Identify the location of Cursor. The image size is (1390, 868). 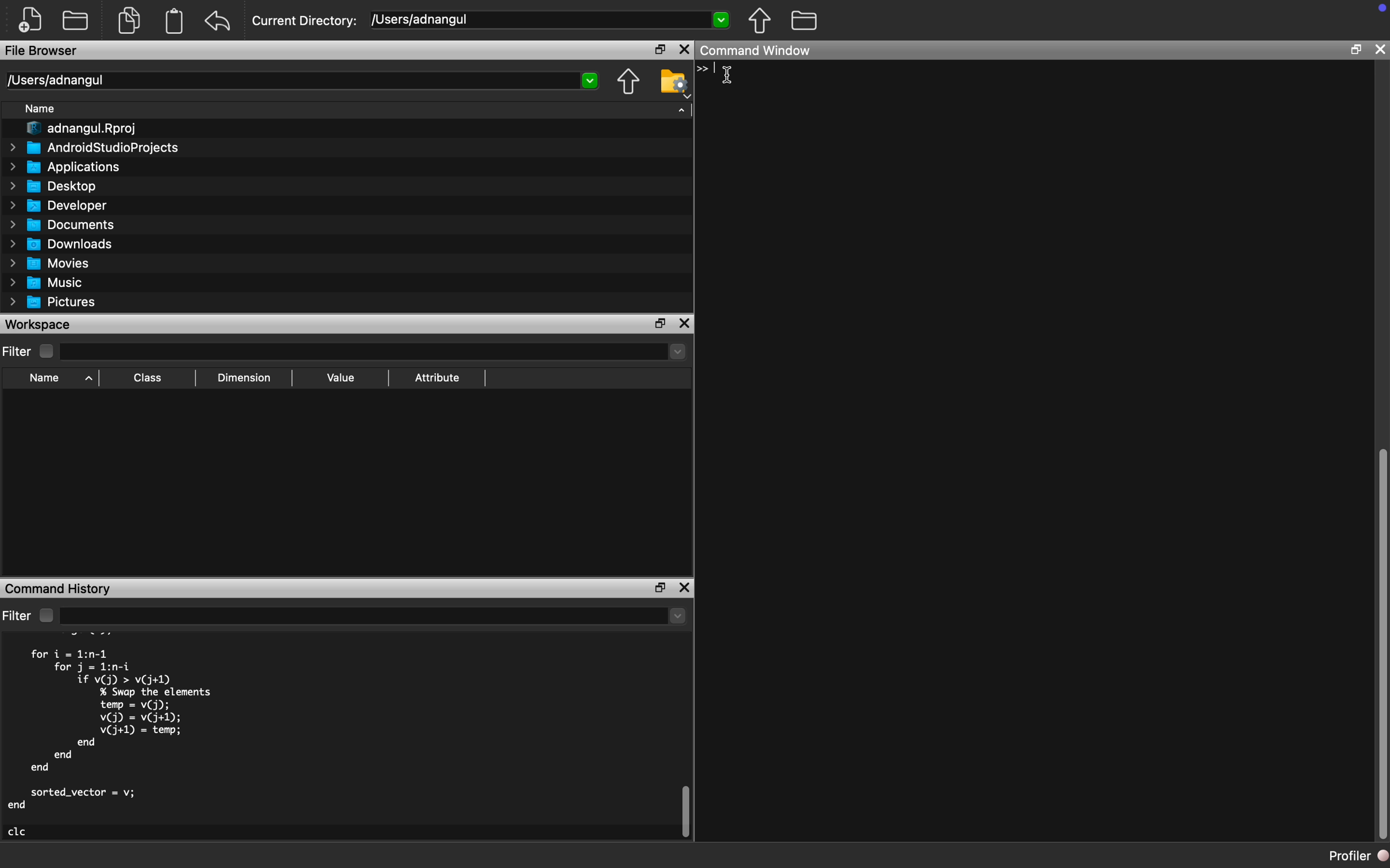
(731, 75).